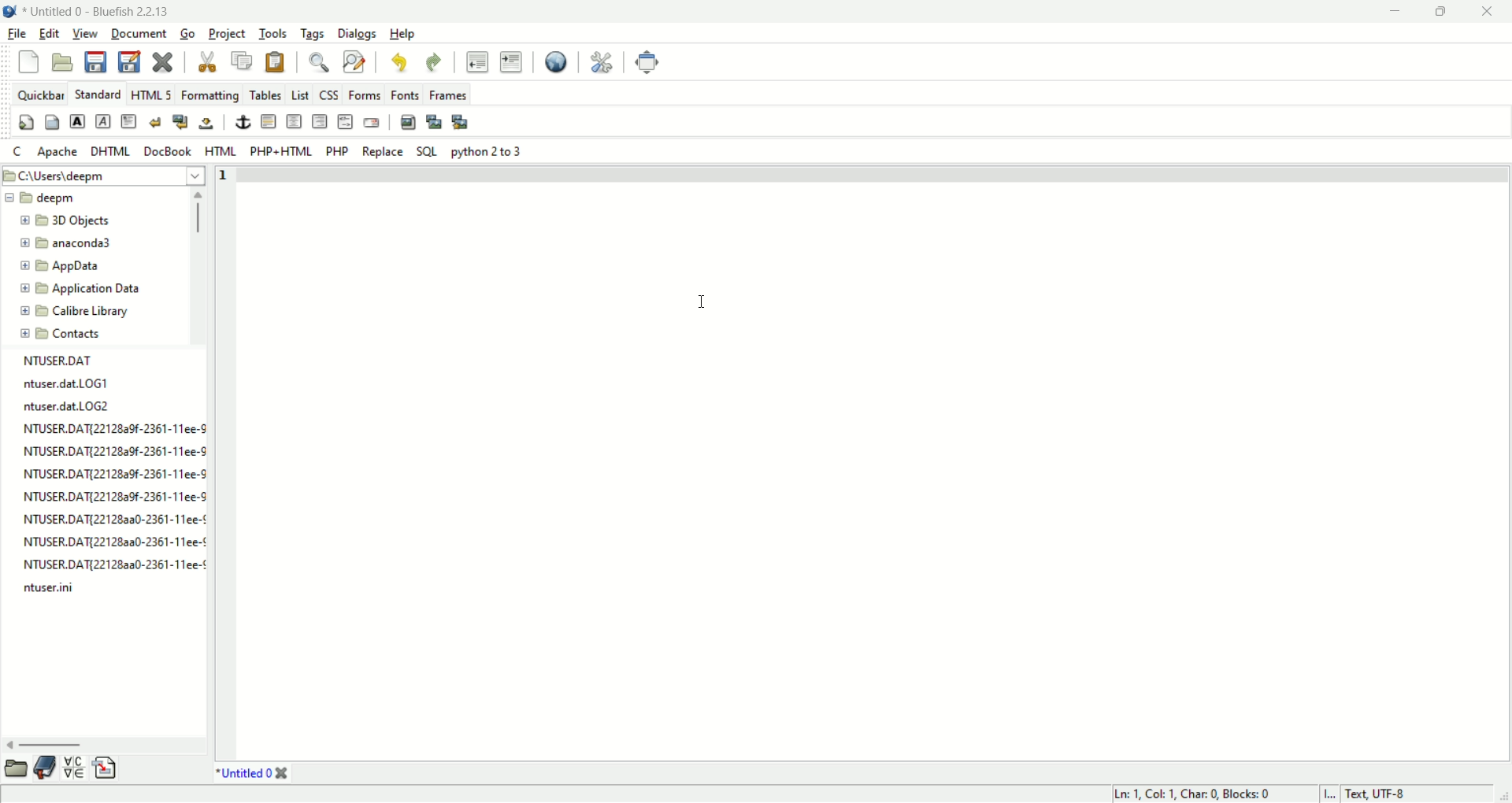 This screenshot has height=803, width=1512. What do you see at coordinates (275, 61) in the screenshot?
I see `paste` at bounding box center [275, 61].